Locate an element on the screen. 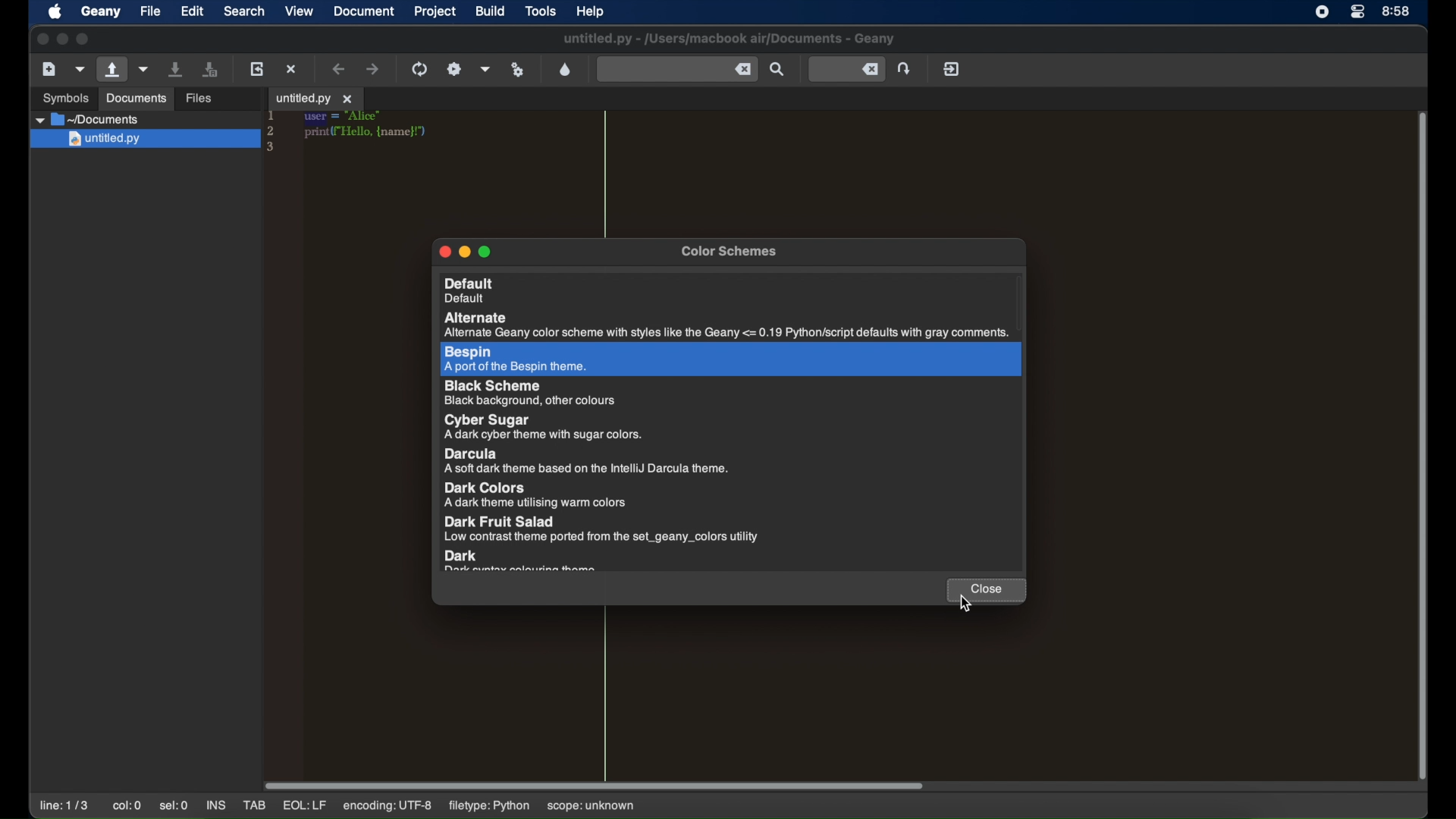 The image size is (1456, 819). bespin is located at coordinates (516, 359).